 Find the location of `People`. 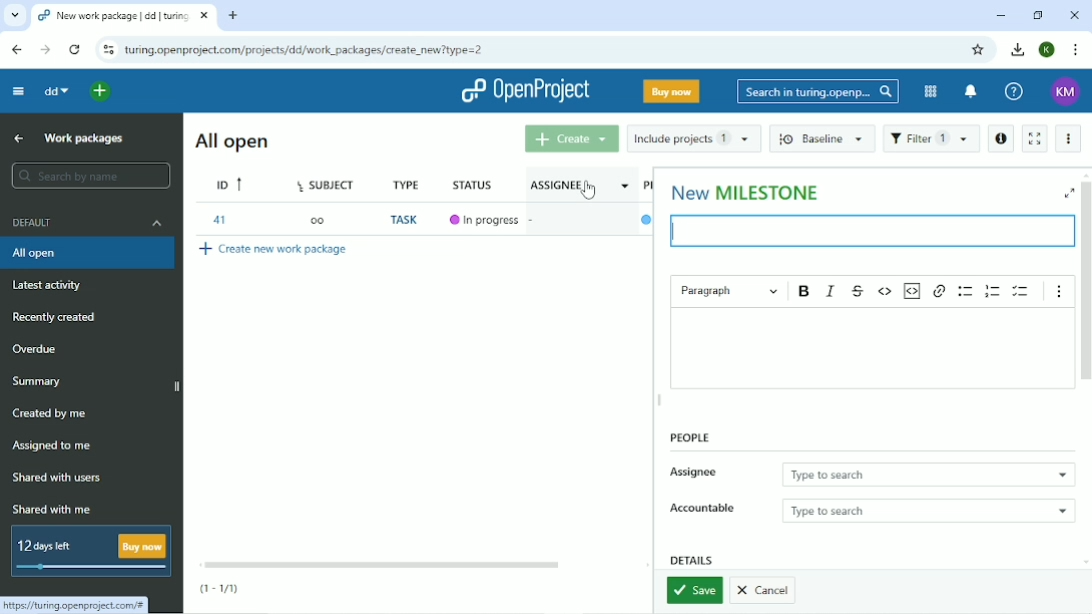

People is located at coordinates (689, 438).